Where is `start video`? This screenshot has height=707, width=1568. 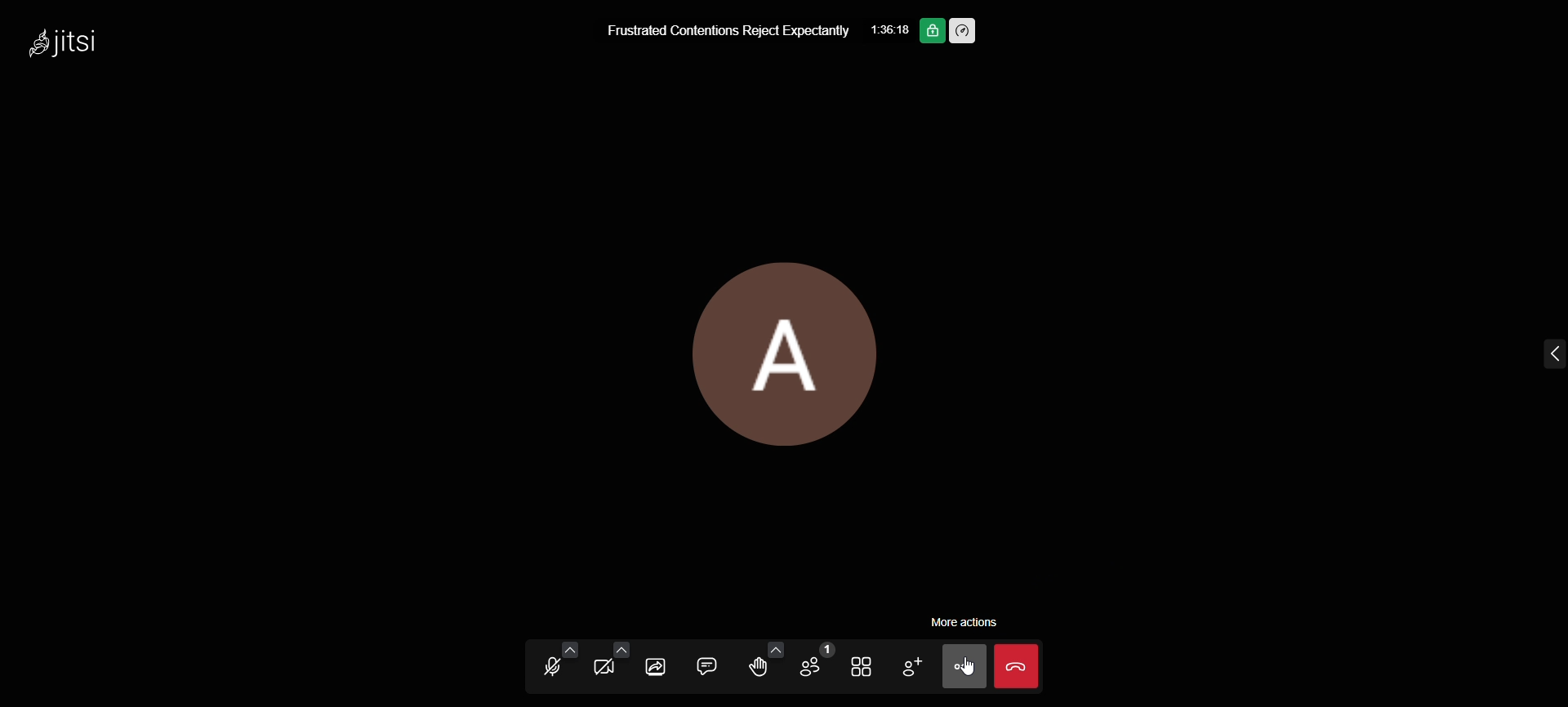
start video is located at coordinates (602, 665).